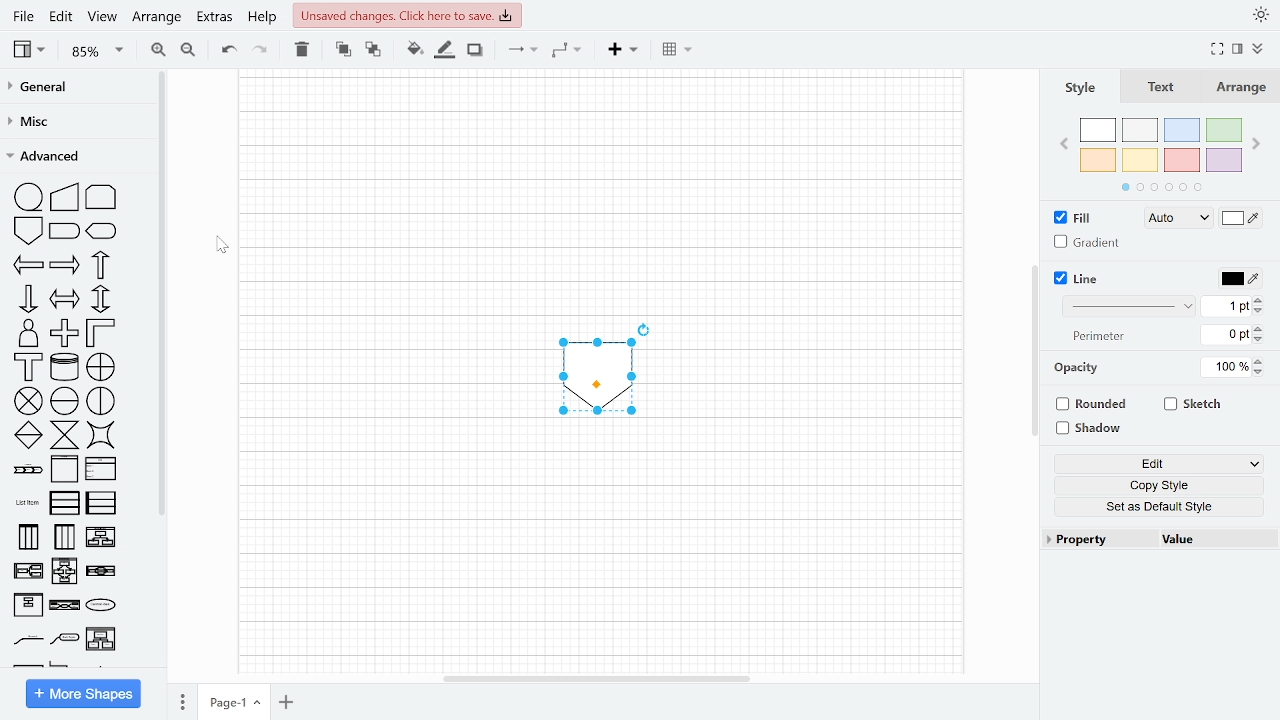 Image resolution: width=1280 pixels, height=720 pixels. What do you see at coordinates (1162, 465) in the screenshot?
I see `Edit` at bounding box center [1162, 465].